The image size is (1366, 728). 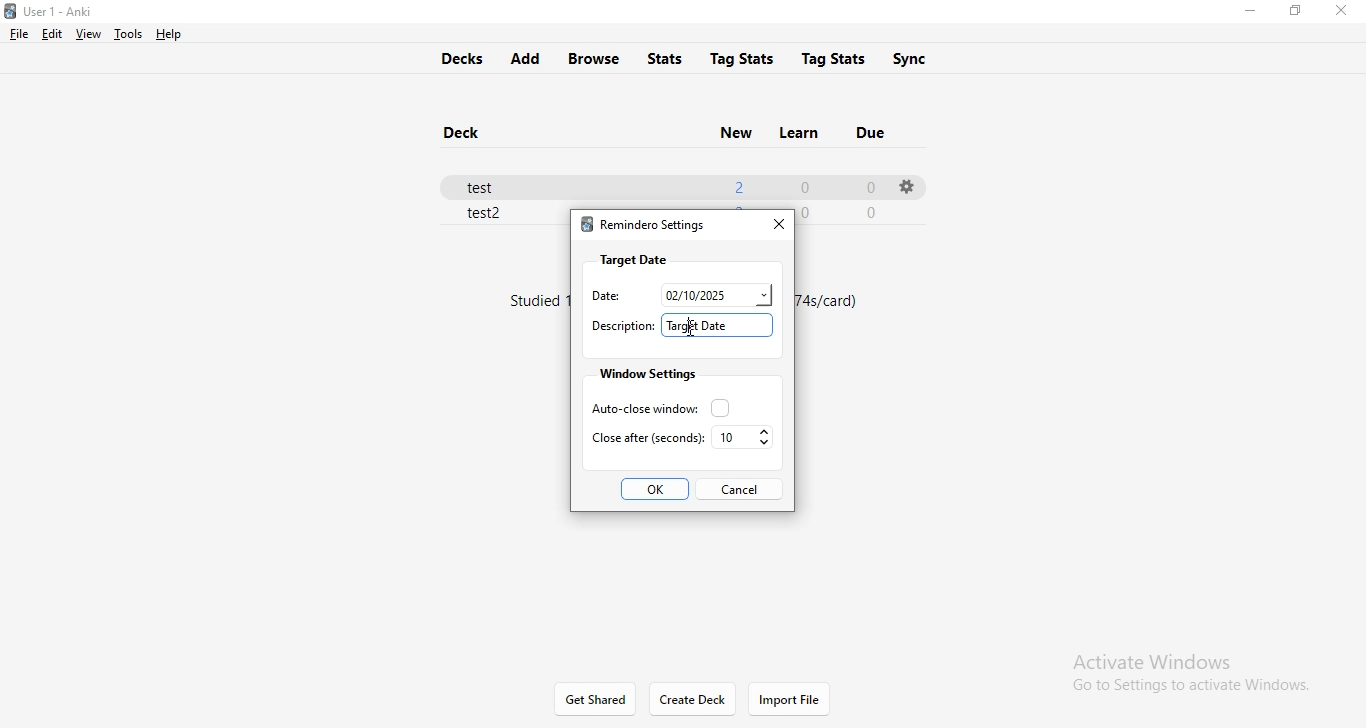 I want to click on tags stats, so click(x=836, y=56).